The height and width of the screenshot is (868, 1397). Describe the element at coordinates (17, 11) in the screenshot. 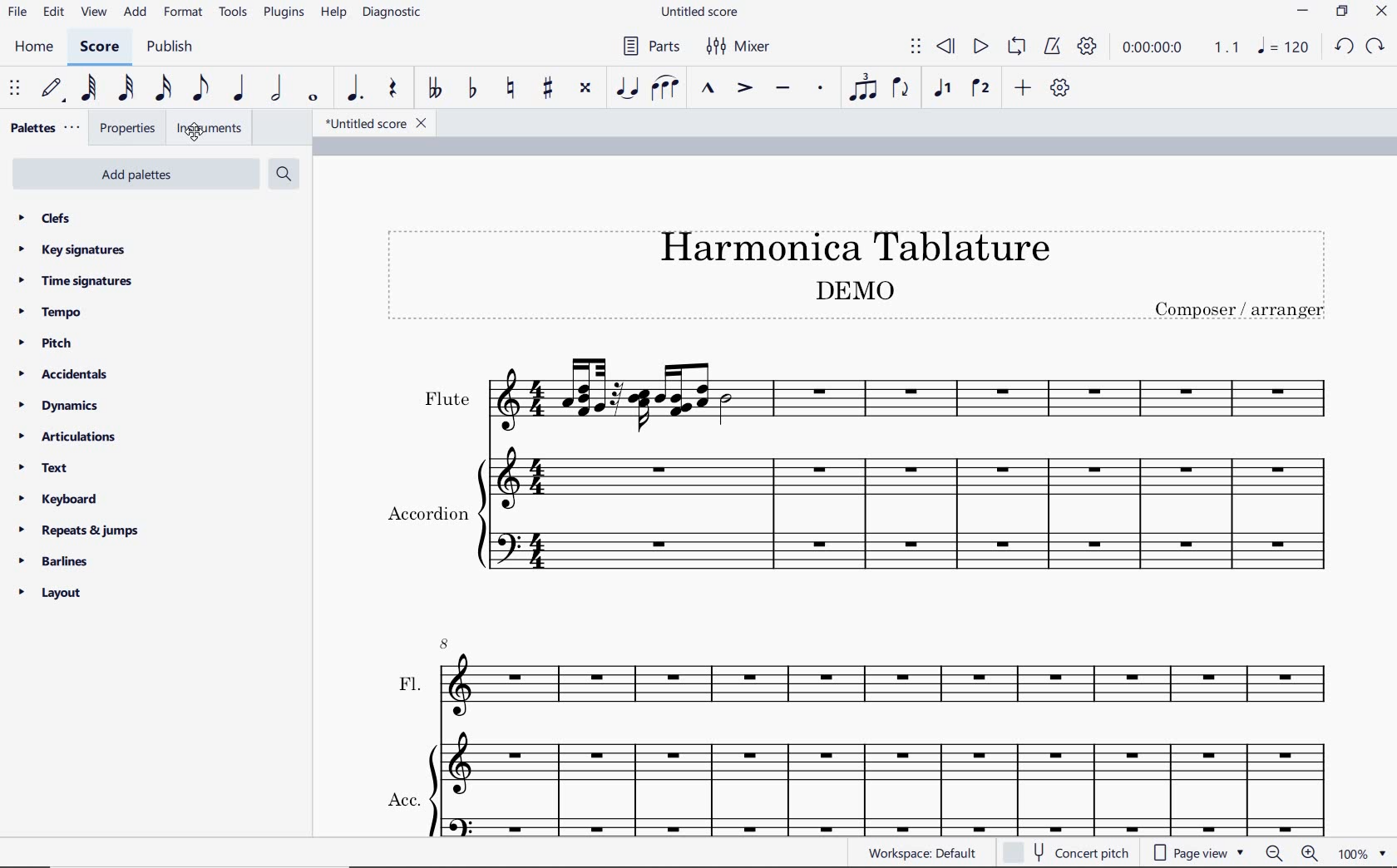

I see `FILE` at that location.